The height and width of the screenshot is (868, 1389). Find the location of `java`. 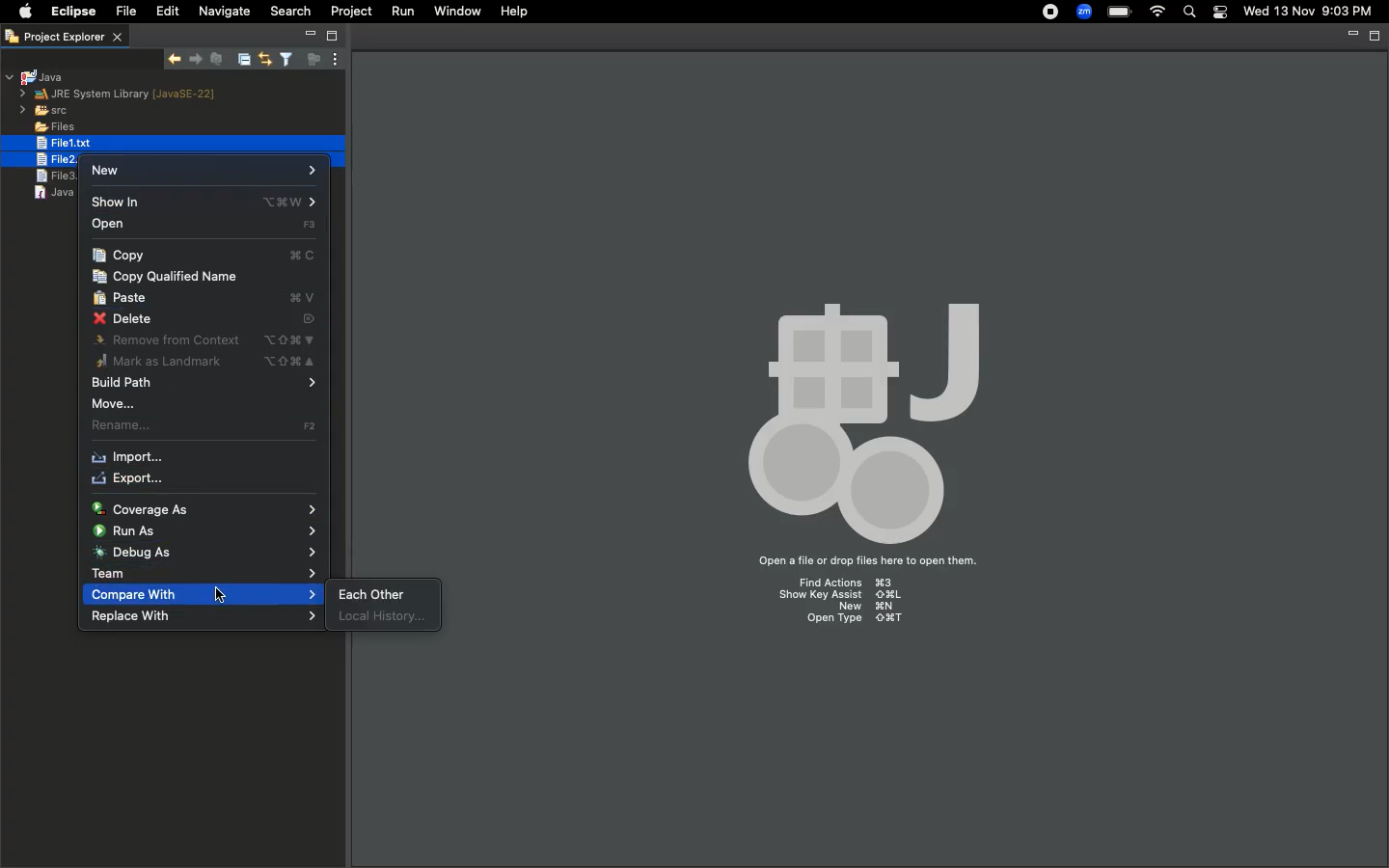

java is located at coordinates (54, 198).